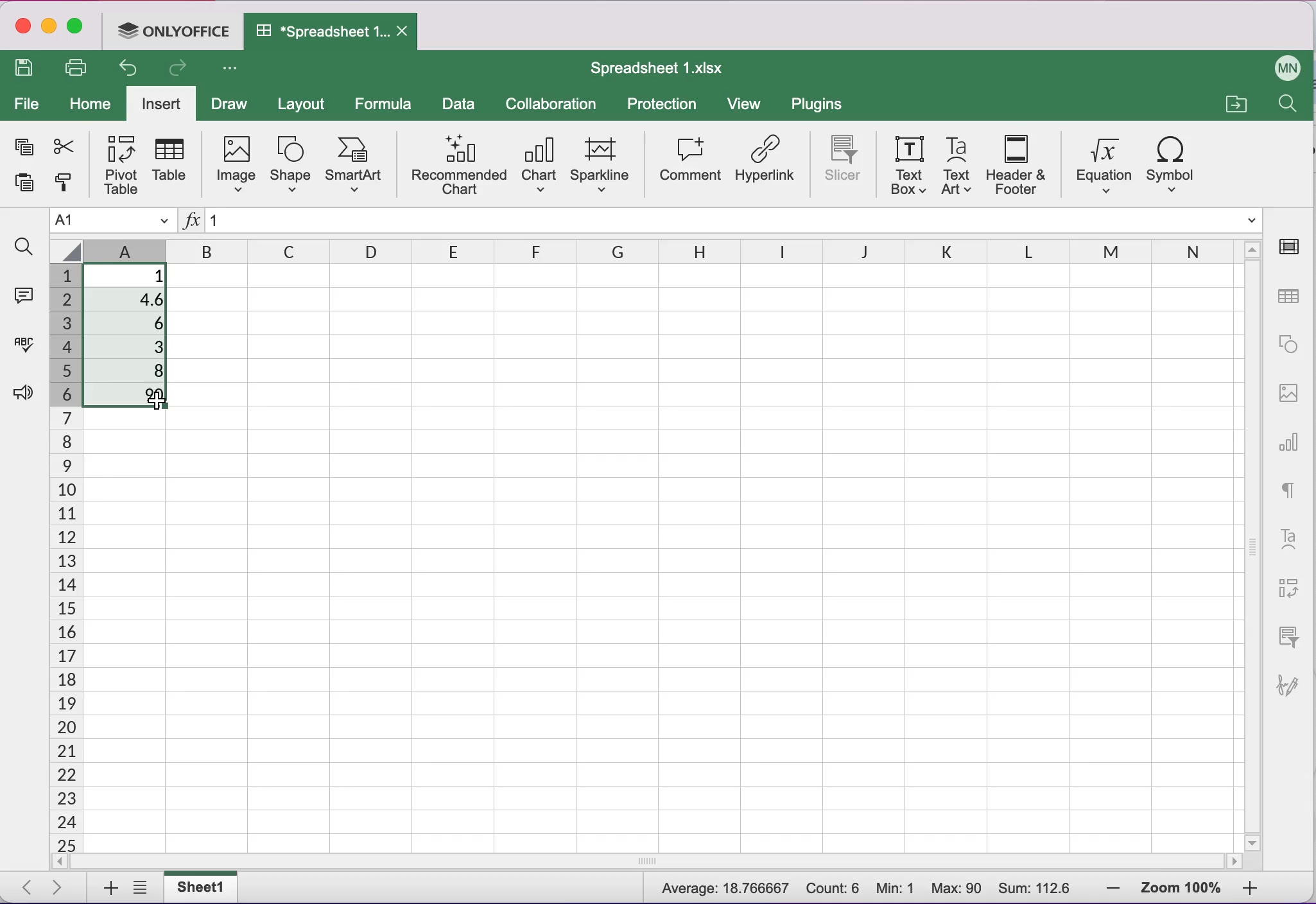  What do you see at coordinates (1287, 297) in the screenshot?
I see `table` at bounding box center [1287, 297].